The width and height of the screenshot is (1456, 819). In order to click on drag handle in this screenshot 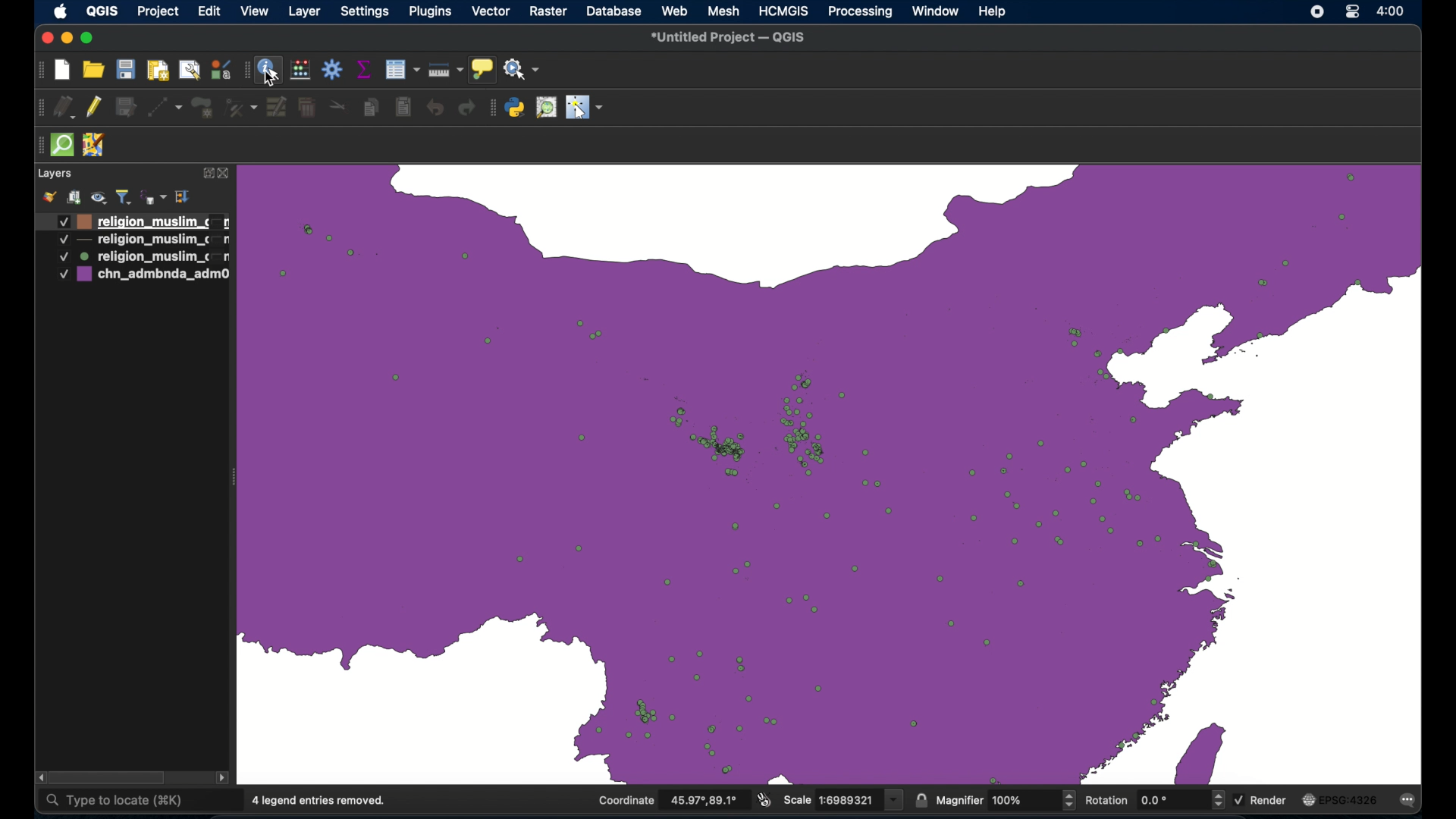, I will do `click(39, 106)`.